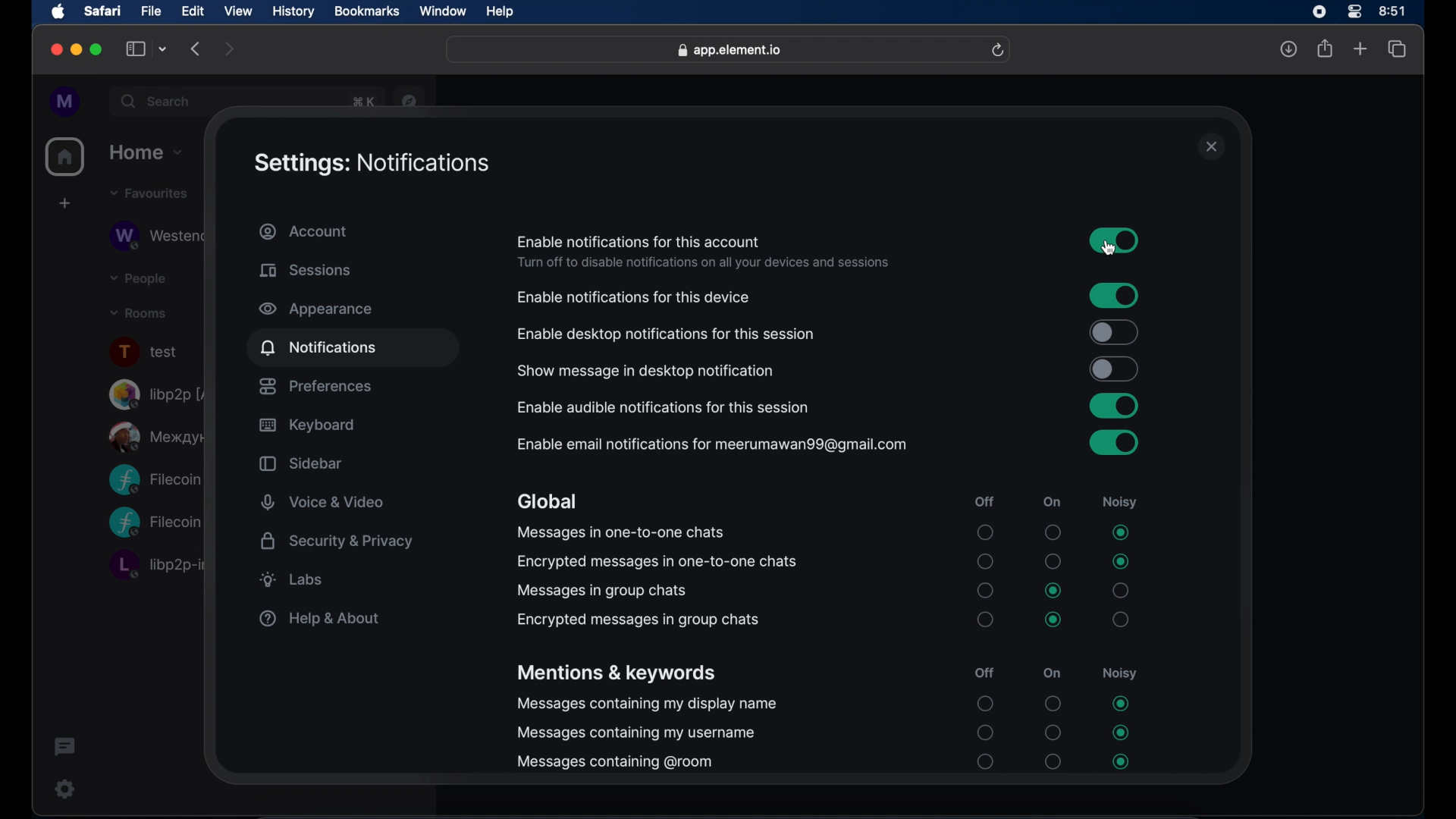 This screenshot has width=1456, height=819. Describe the element at coordinates (231, 49) in the screenshot. I see `forward` at that location.